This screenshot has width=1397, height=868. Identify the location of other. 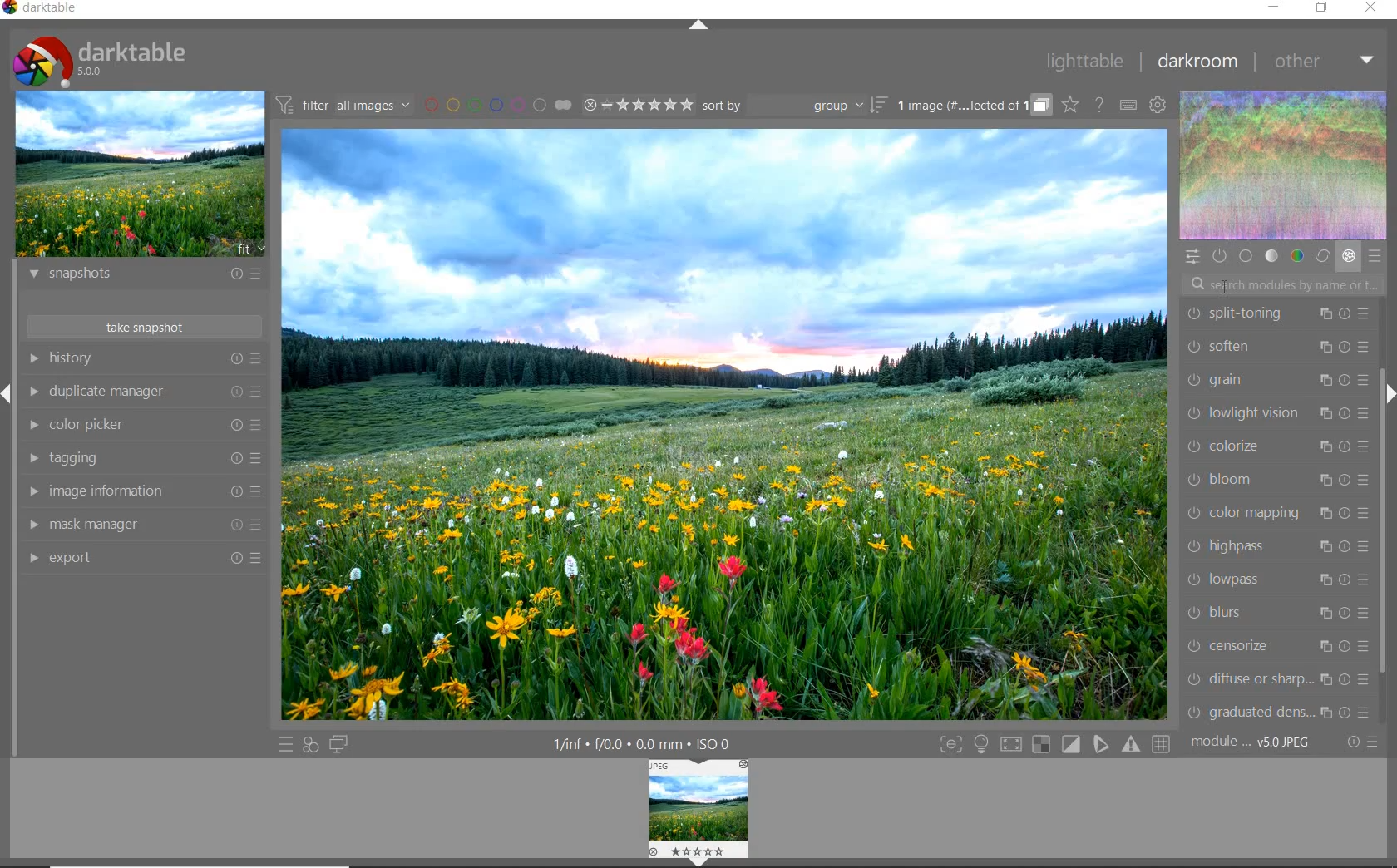
(1326, 61).